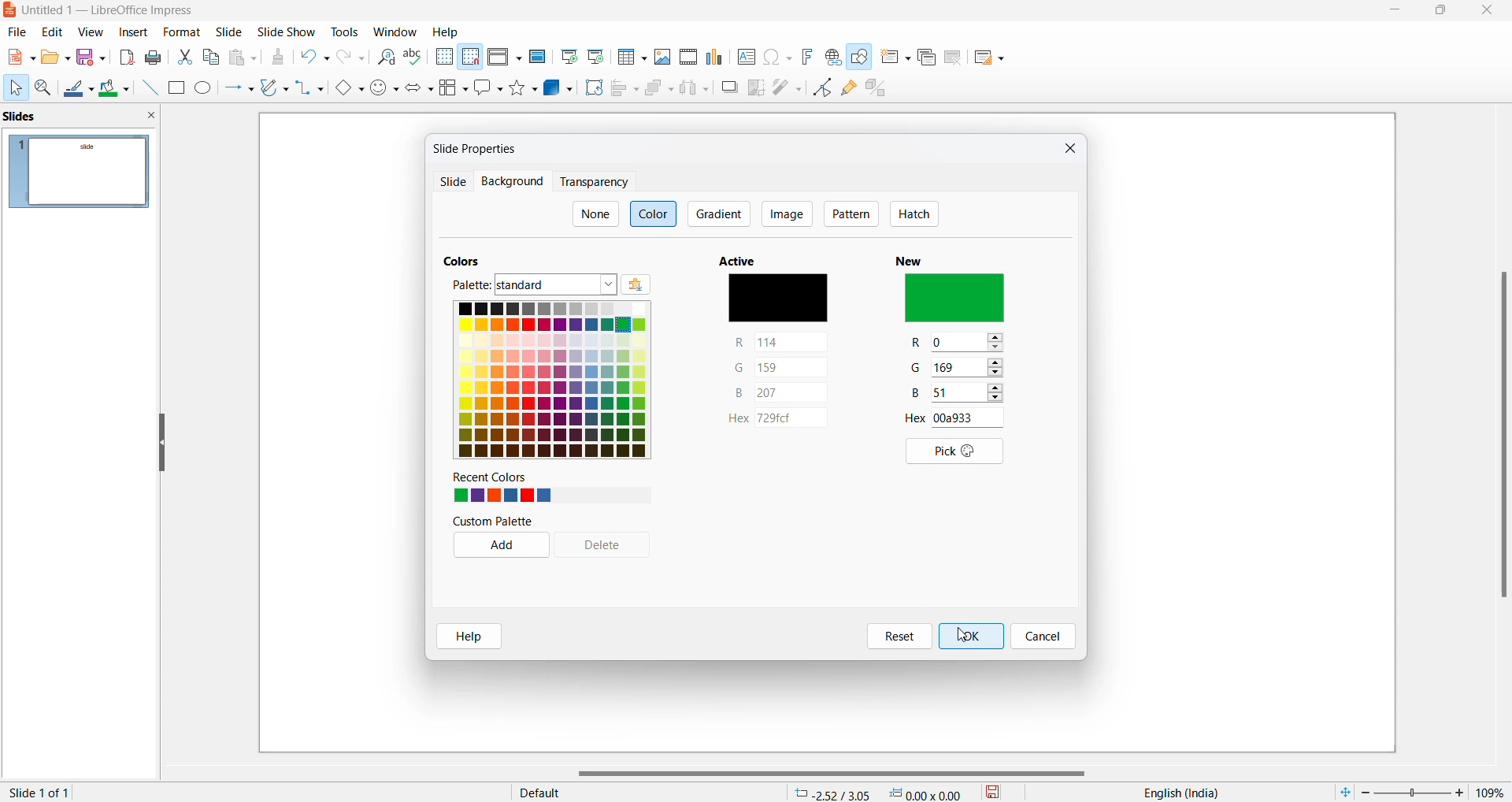  I want to click on Help, so click(447, 32).